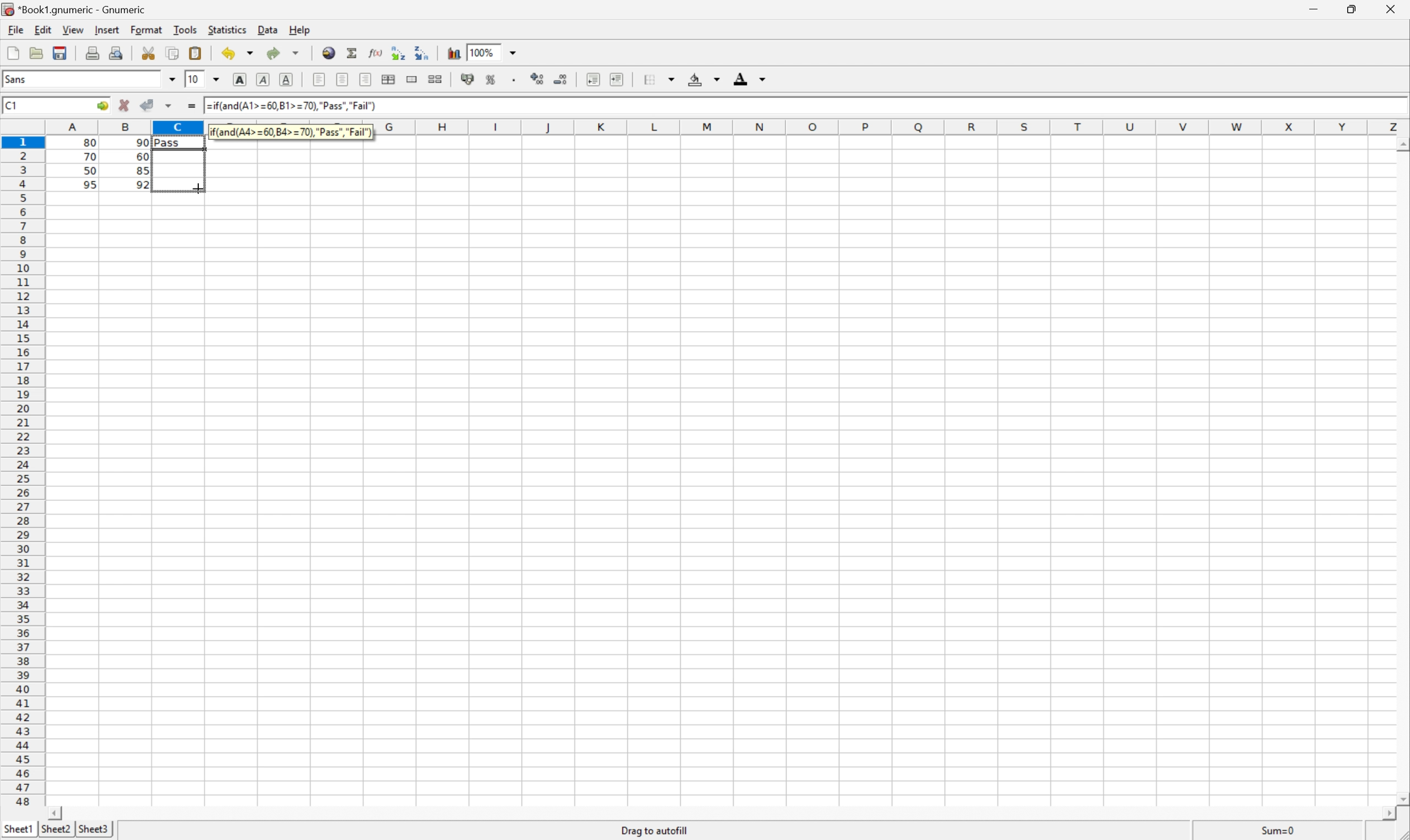 The image size is (1410, 840). I want to click on 92, so click(143, 184).